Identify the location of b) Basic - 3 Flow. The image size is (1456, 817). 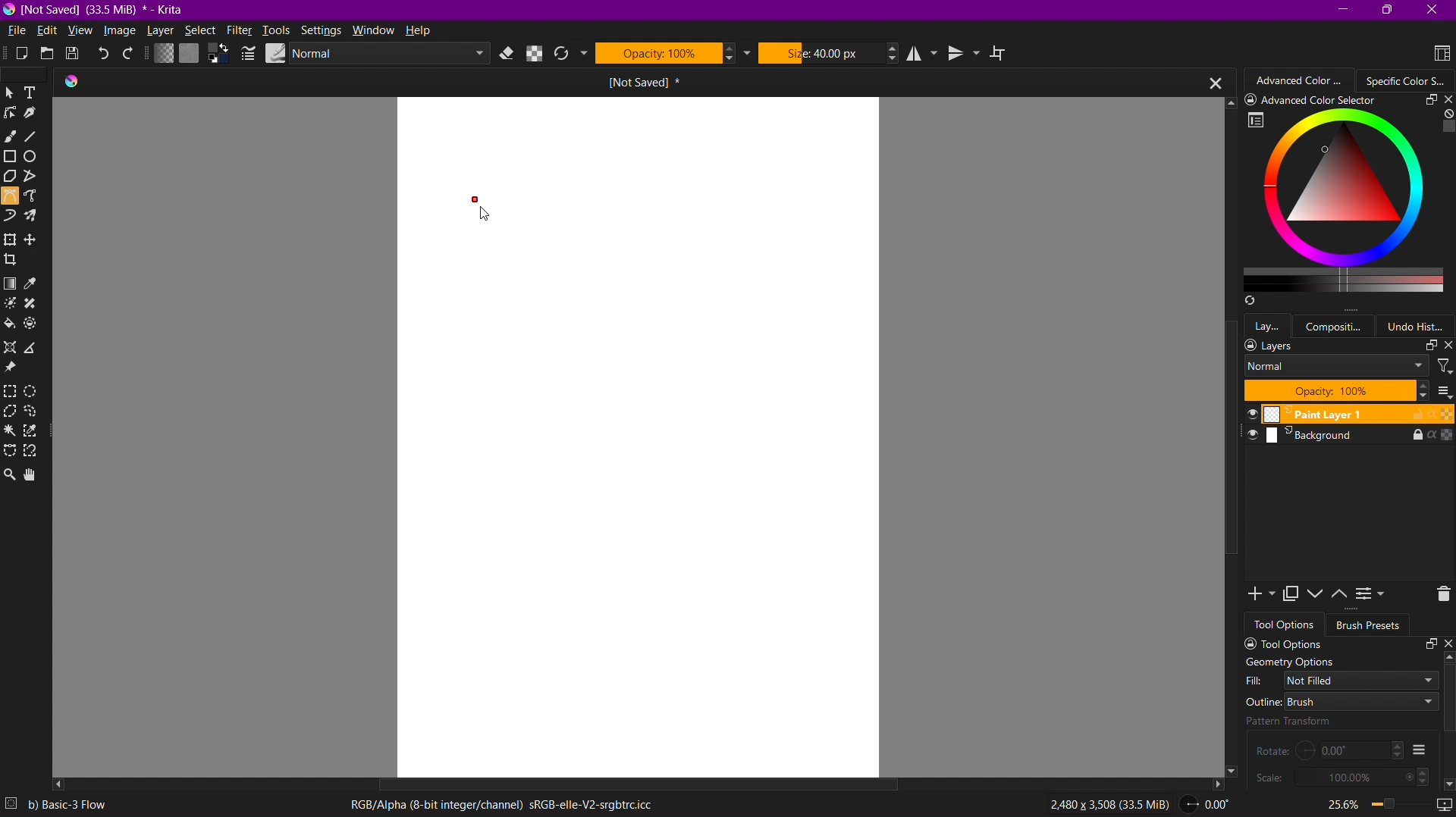
(76, 805).